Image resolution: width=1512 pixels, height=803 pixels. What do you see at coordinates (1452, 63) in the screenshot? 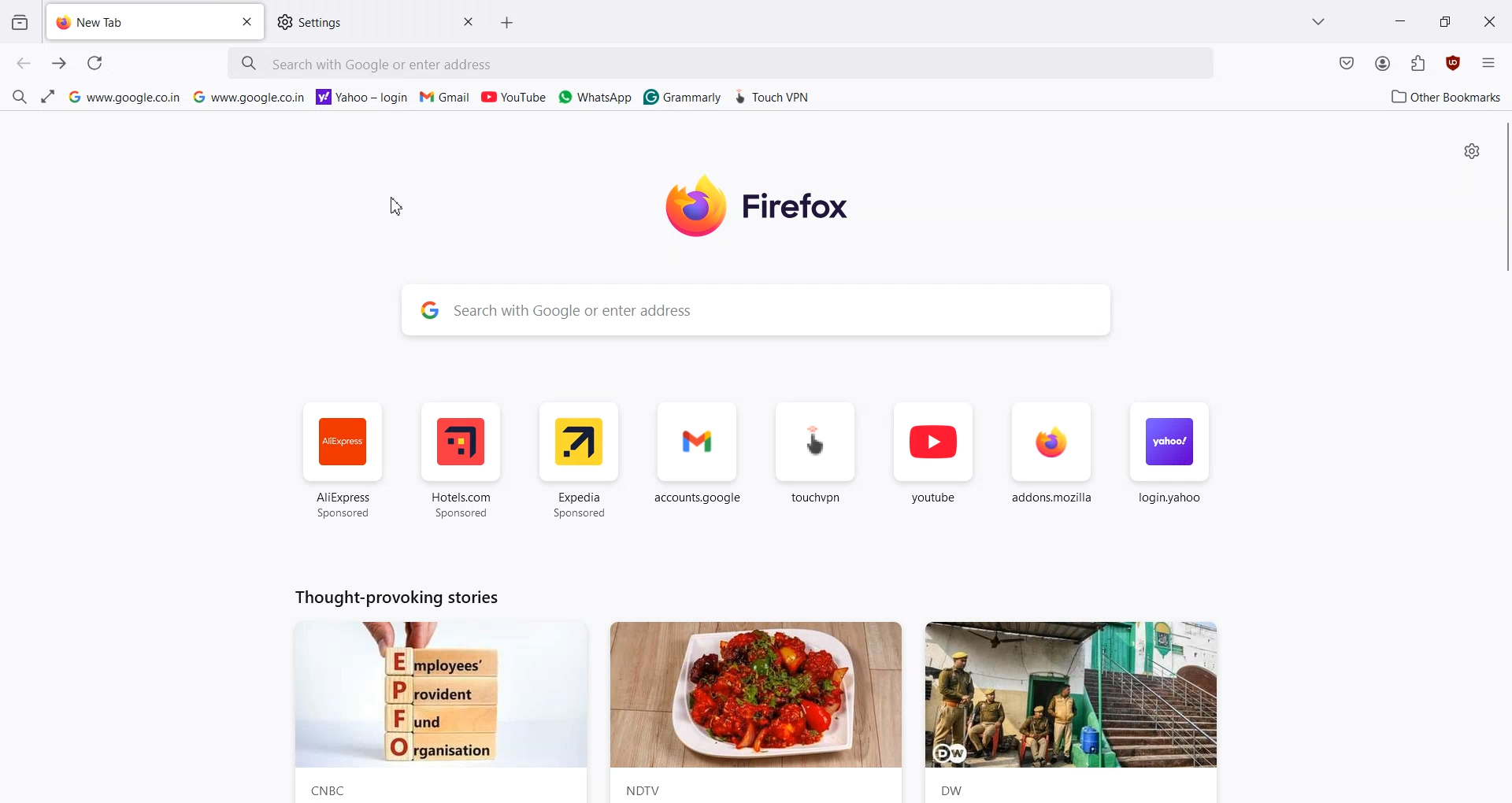
I see `uBlock Origin` at bounding box center [1452, 63].